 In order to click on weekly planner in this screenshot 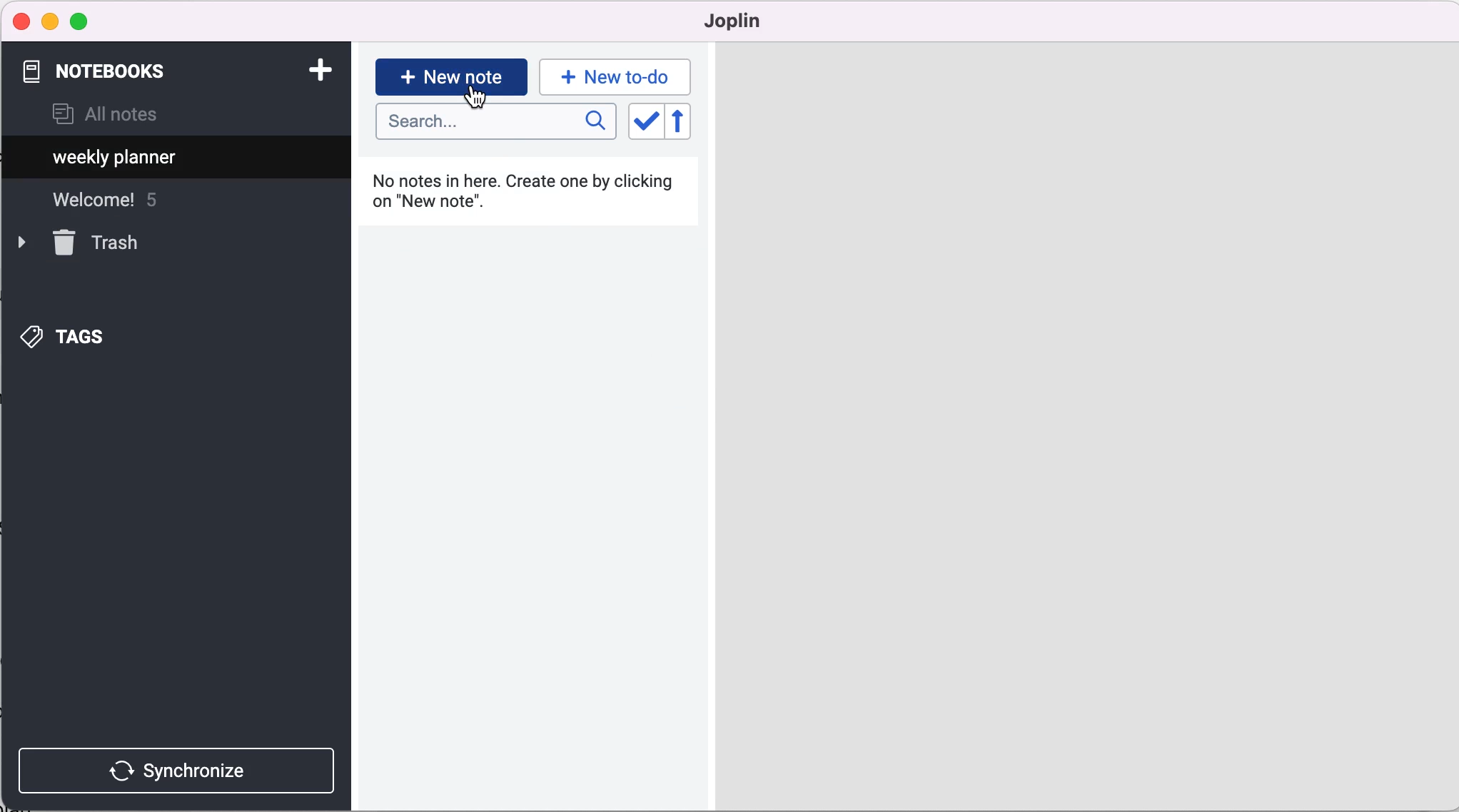, I will do `click(116, 158)`.